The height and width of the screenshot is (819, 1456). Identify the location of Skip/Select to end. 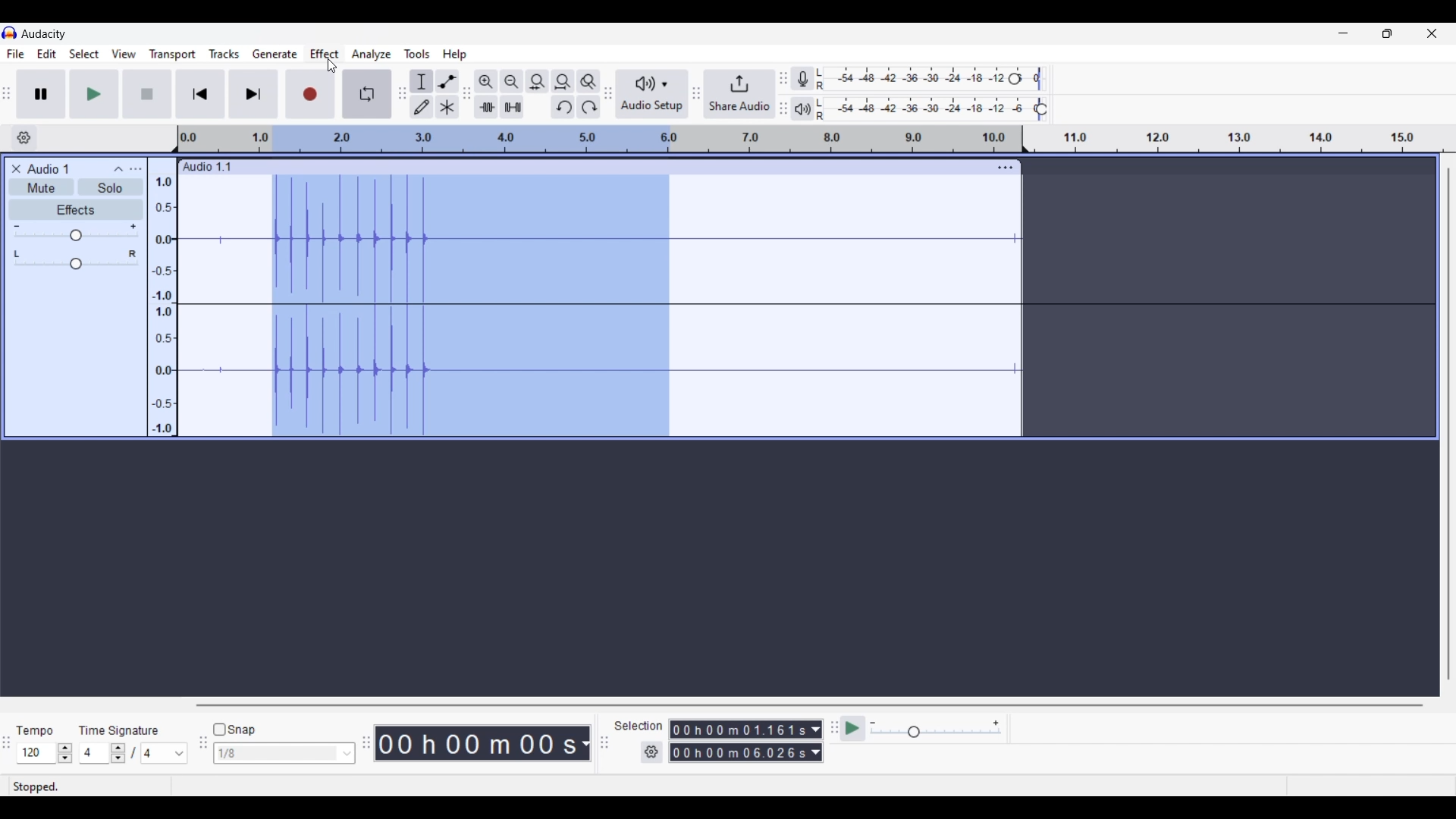
(253, 93).